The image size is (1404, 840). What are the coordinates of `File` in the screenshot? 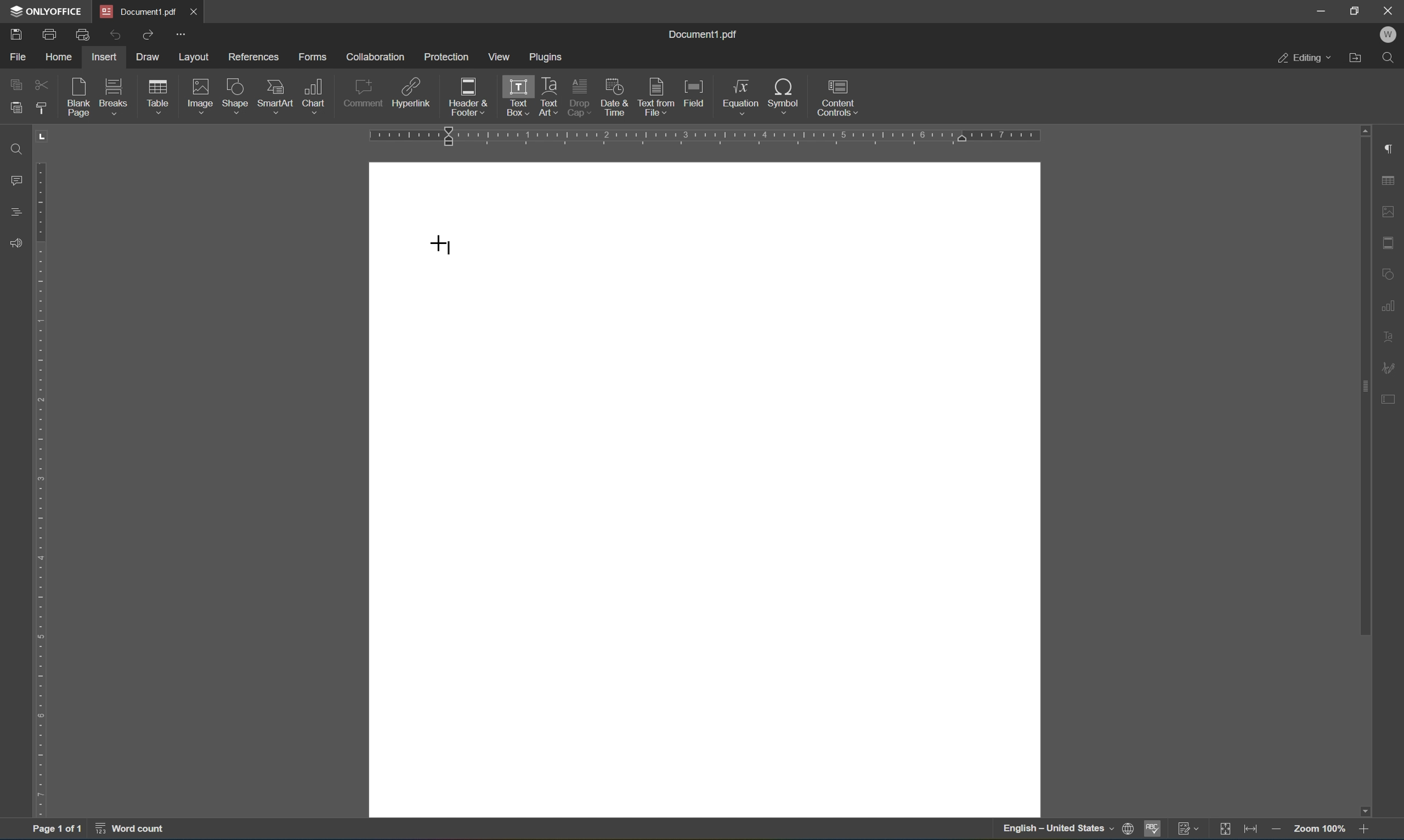 It's located at (19, 58).